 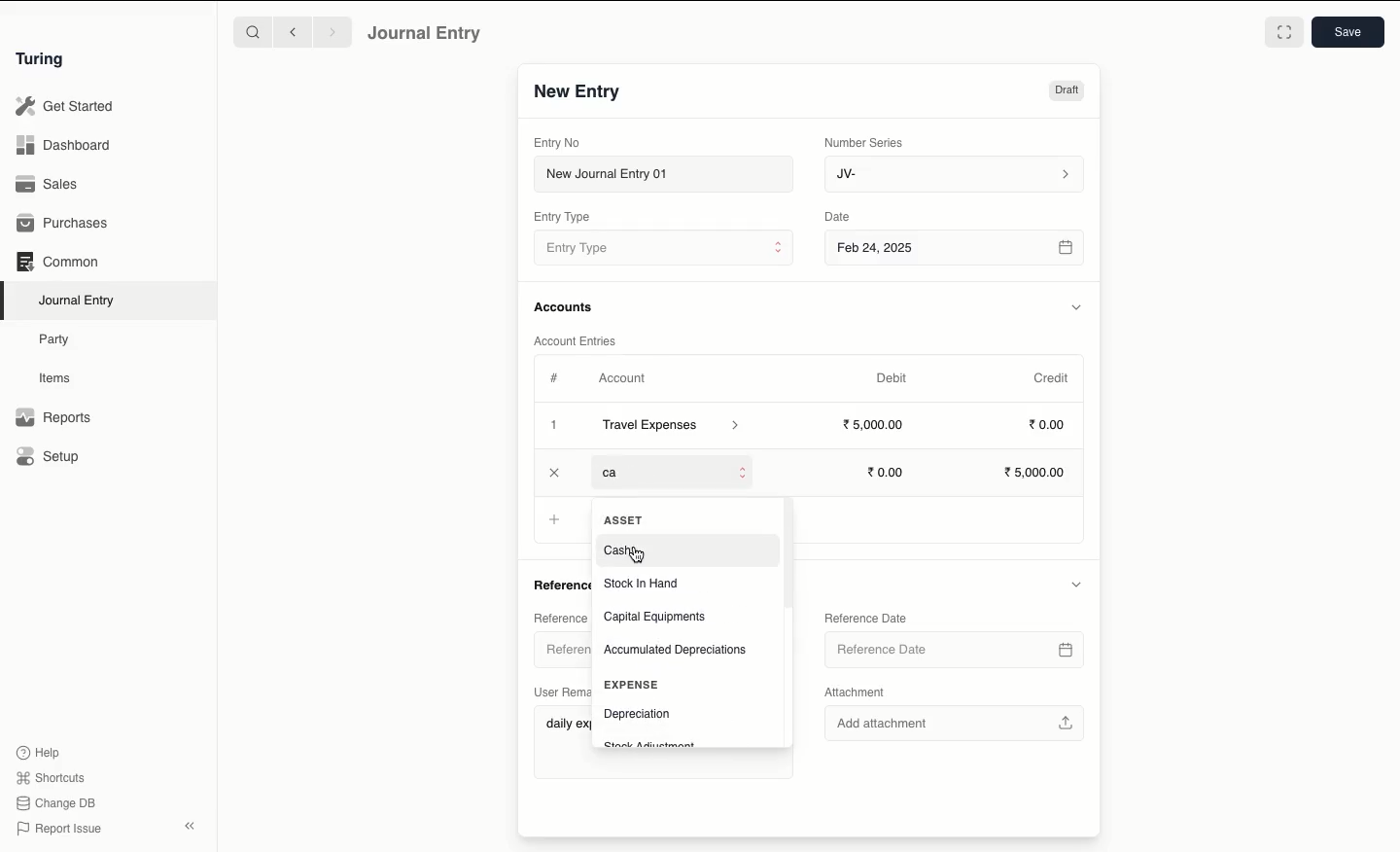 I want to click on Capital Equipments, so click(x=657, y=617).